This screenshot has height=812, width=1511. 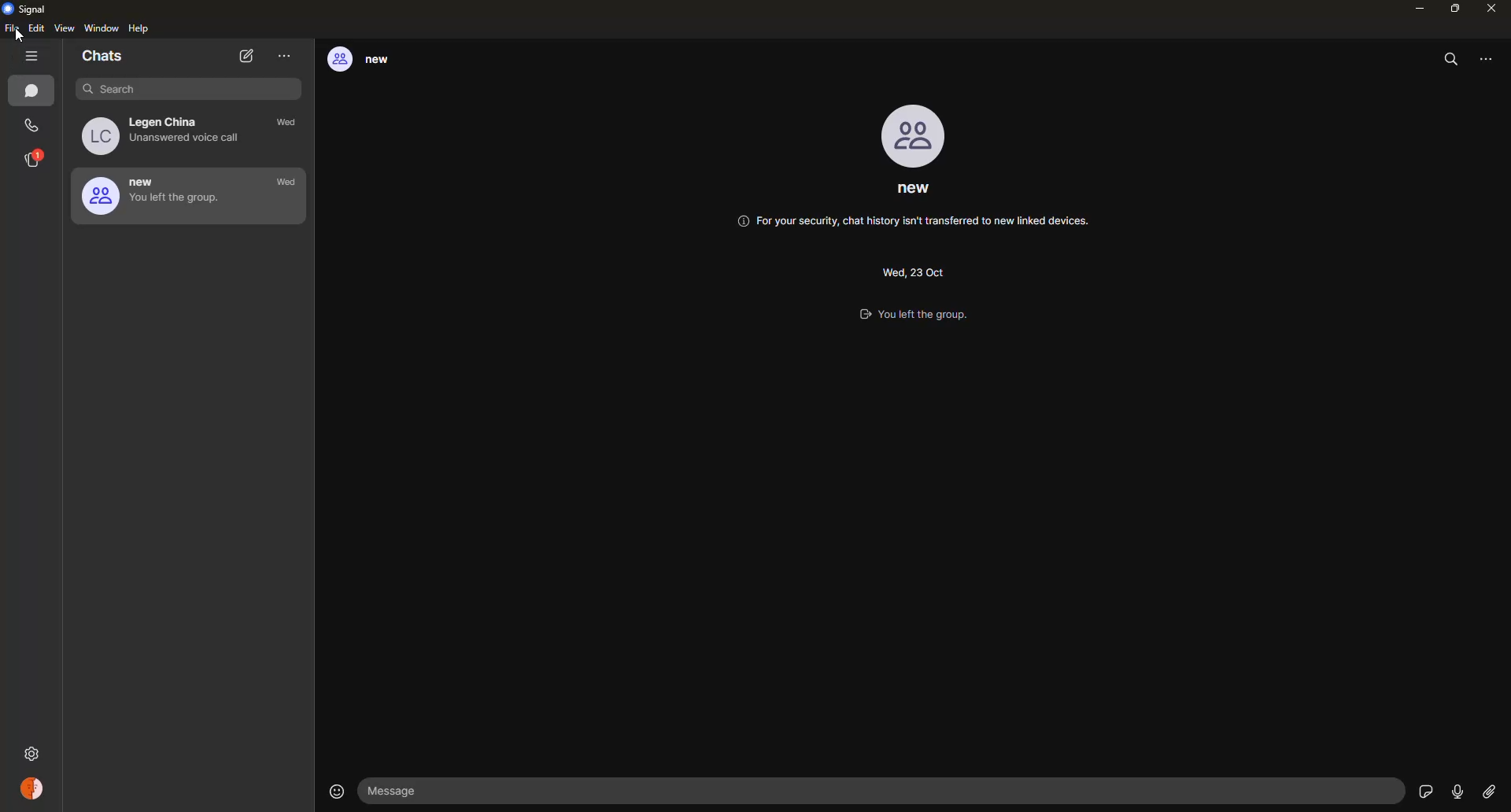 I want to click on new chat, so click(x=248, y=57).